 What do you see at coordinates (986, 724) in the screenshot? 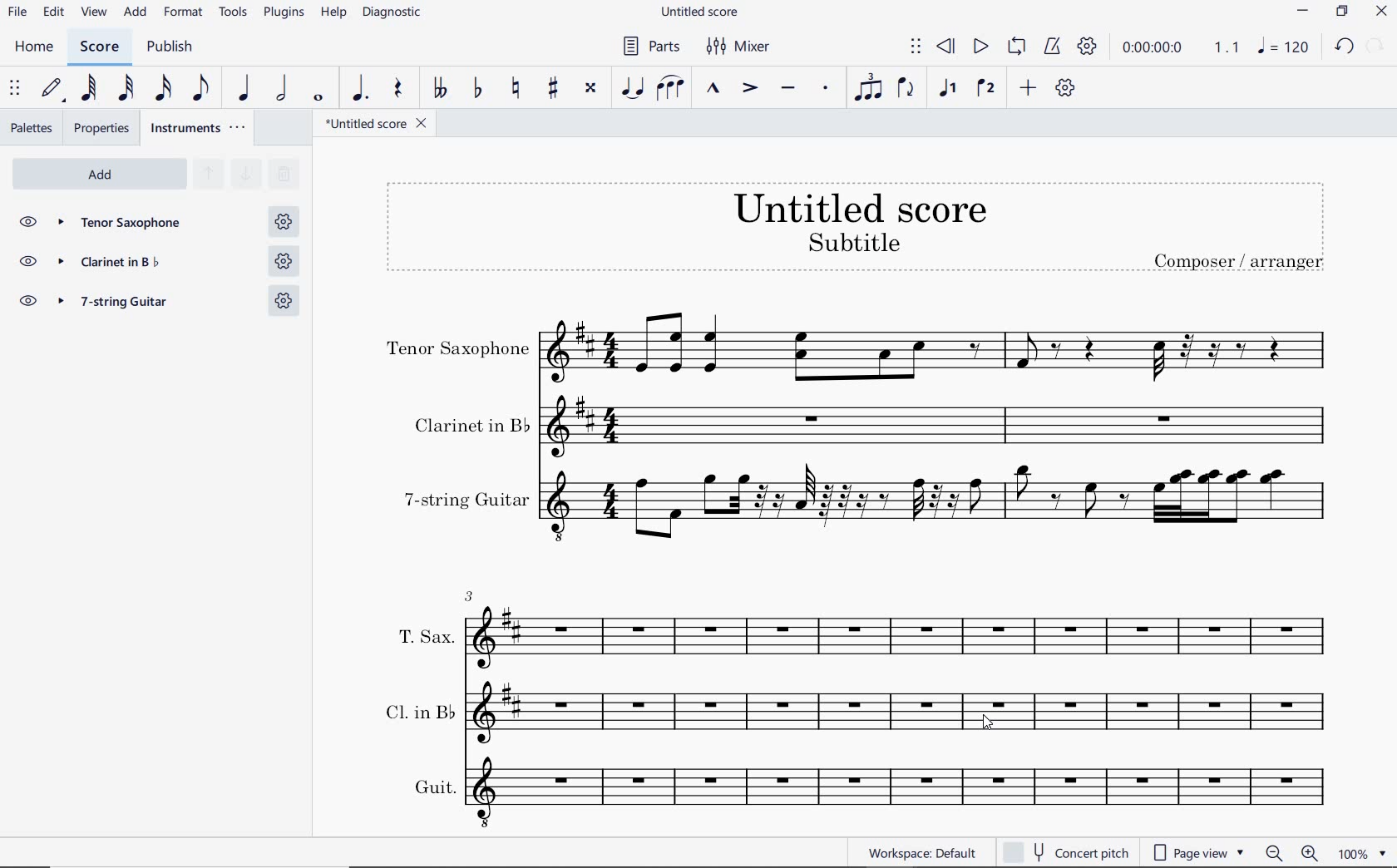
I see `cursor` at bounding box center [986, 724].